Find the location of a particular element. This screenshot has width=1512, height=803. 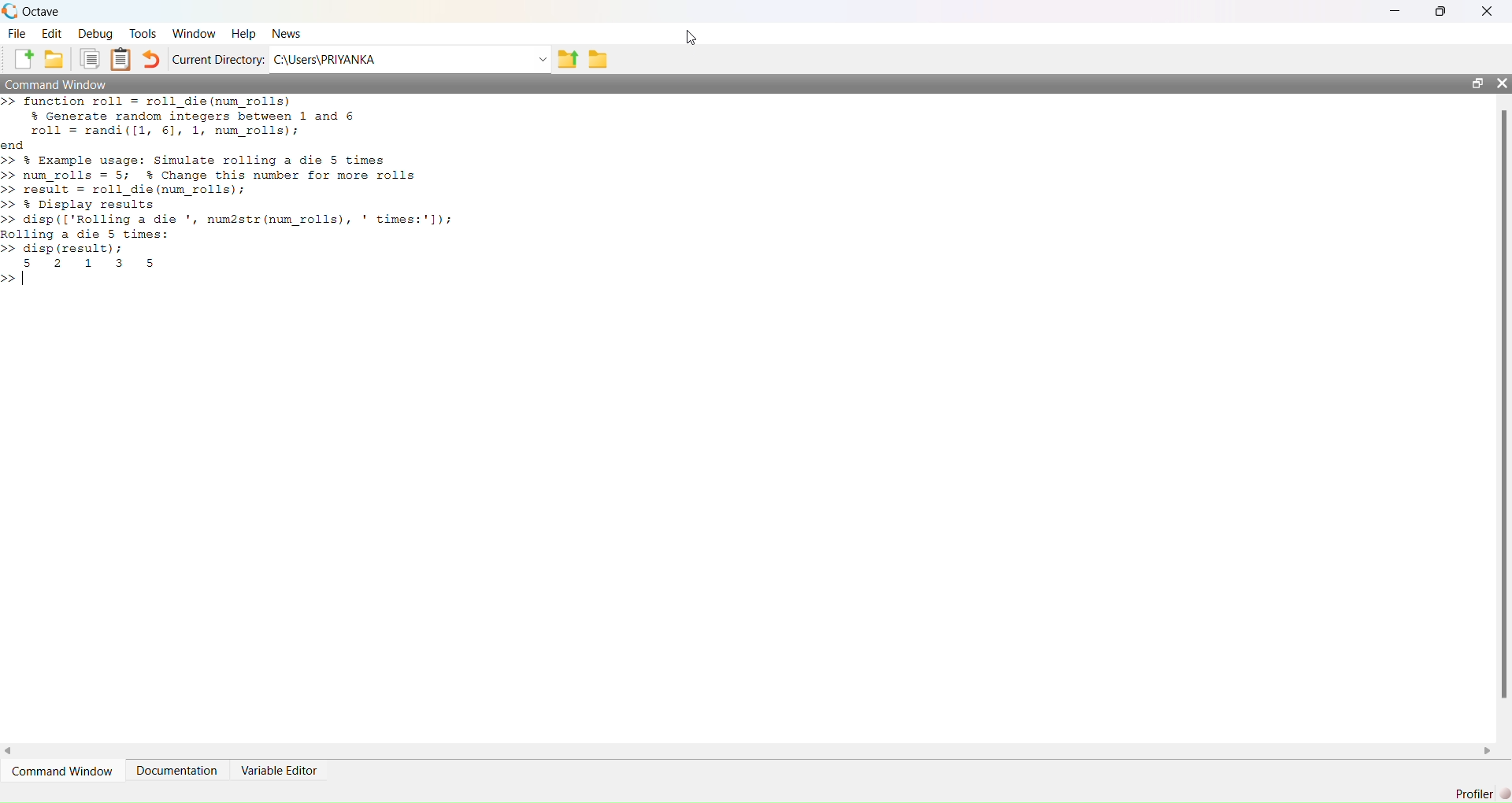

add folder is located at coordinates (55, 59).